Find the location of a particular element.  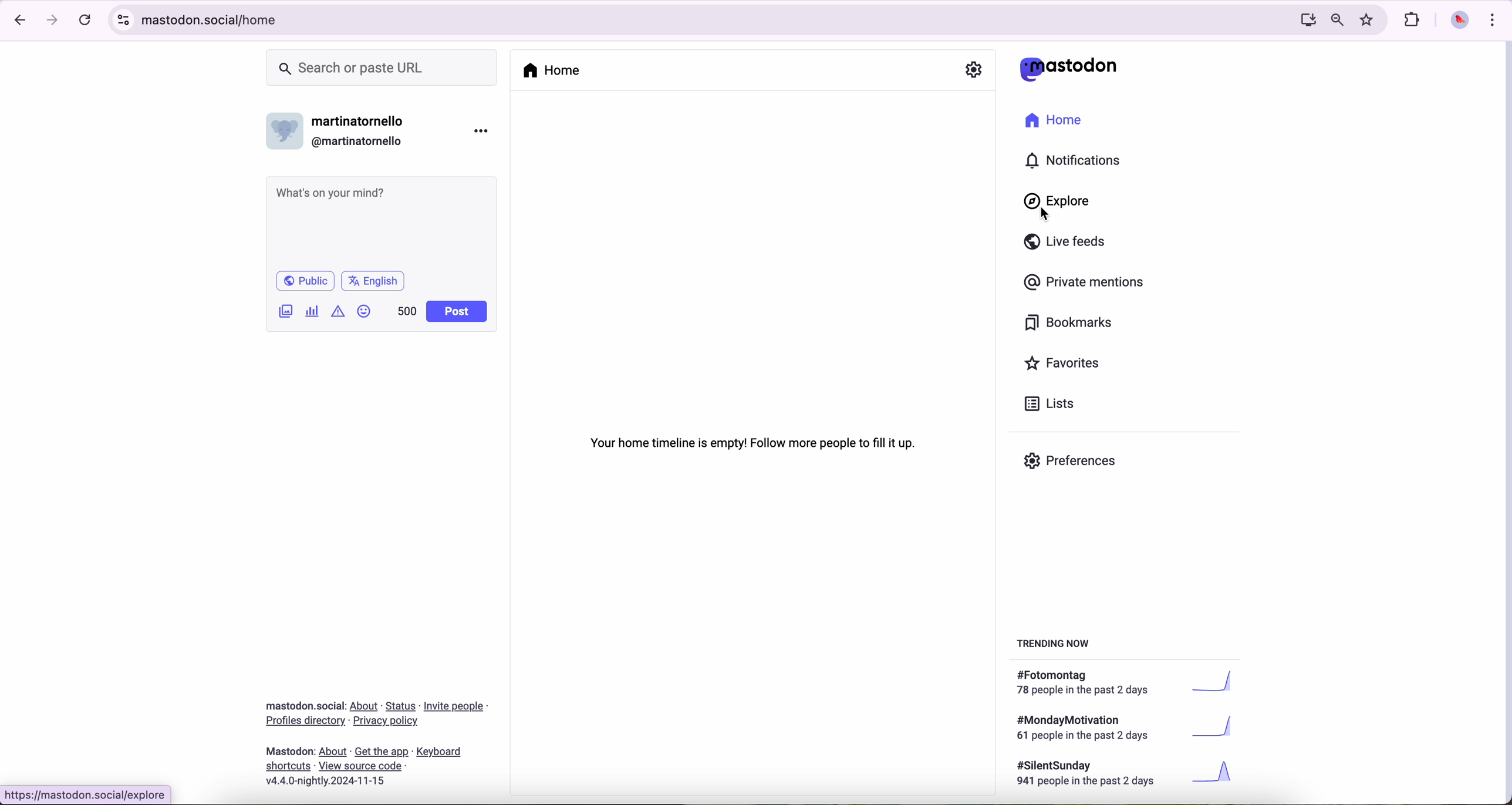

cursor is located at coordinates (1048, 214).